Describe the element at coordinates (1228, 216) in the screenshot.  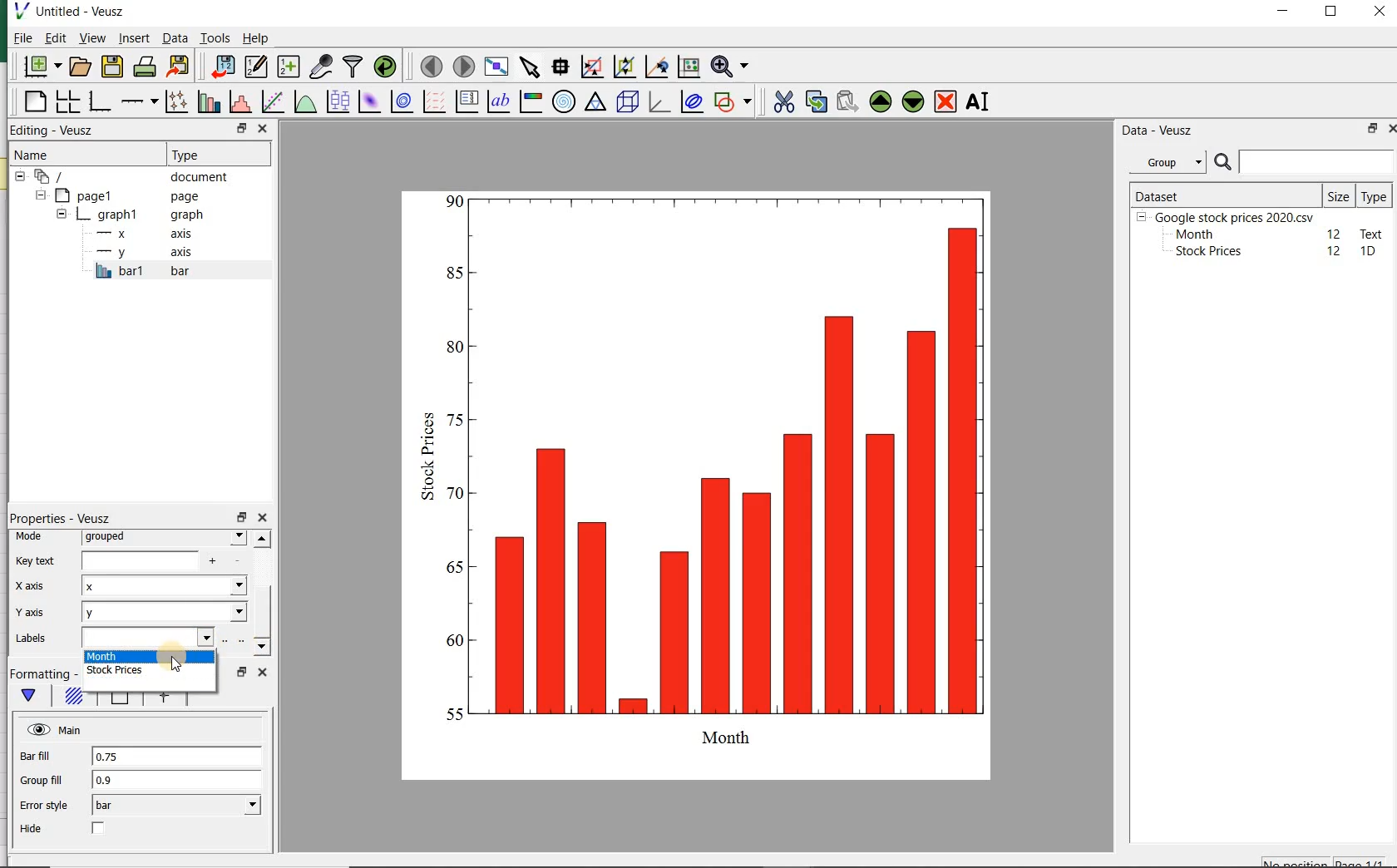
I see `Google stock prices 2020.csv` at that location.